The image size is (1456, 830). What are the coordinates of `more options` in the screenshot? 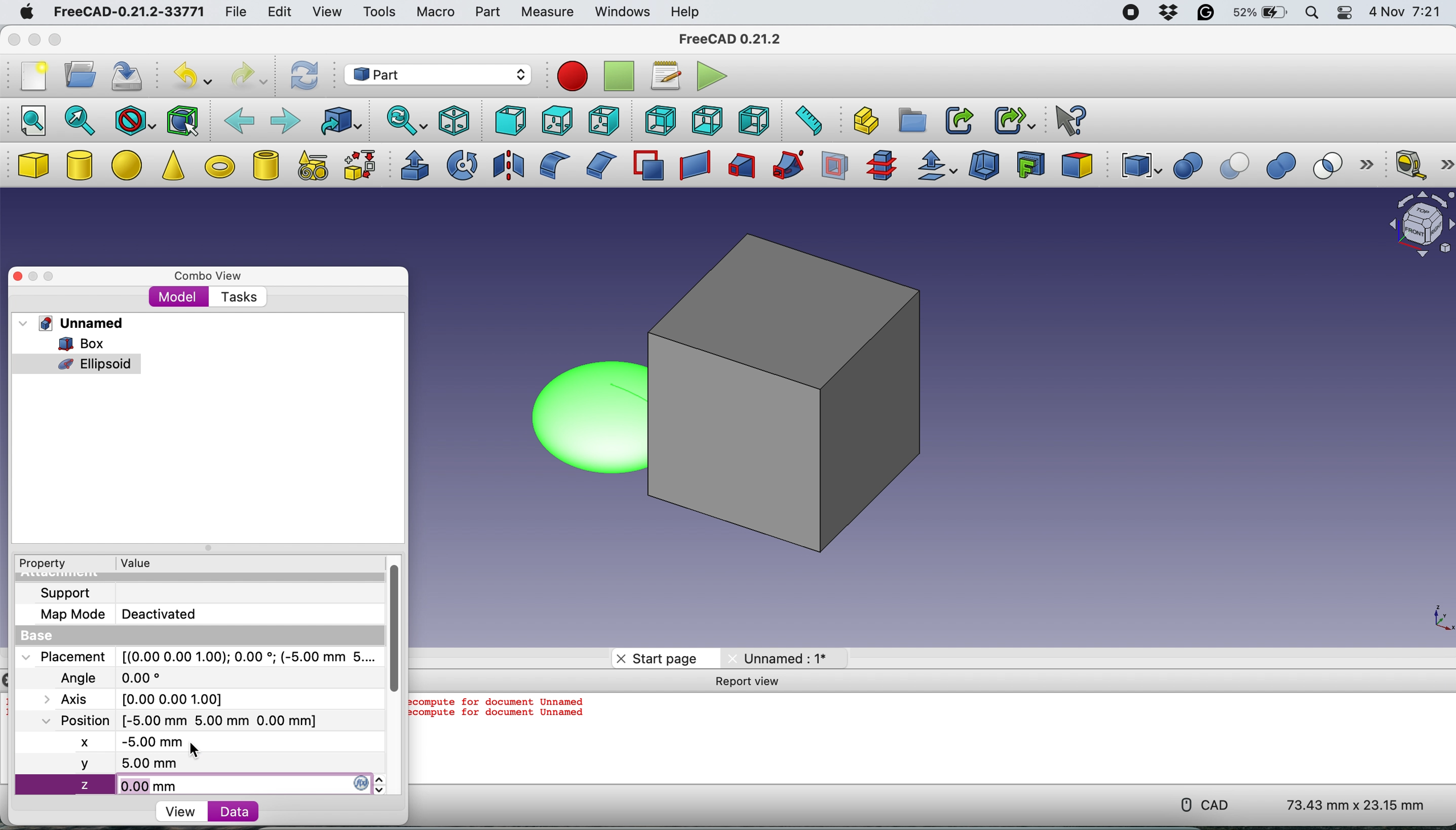 It's located at (1371, 166).